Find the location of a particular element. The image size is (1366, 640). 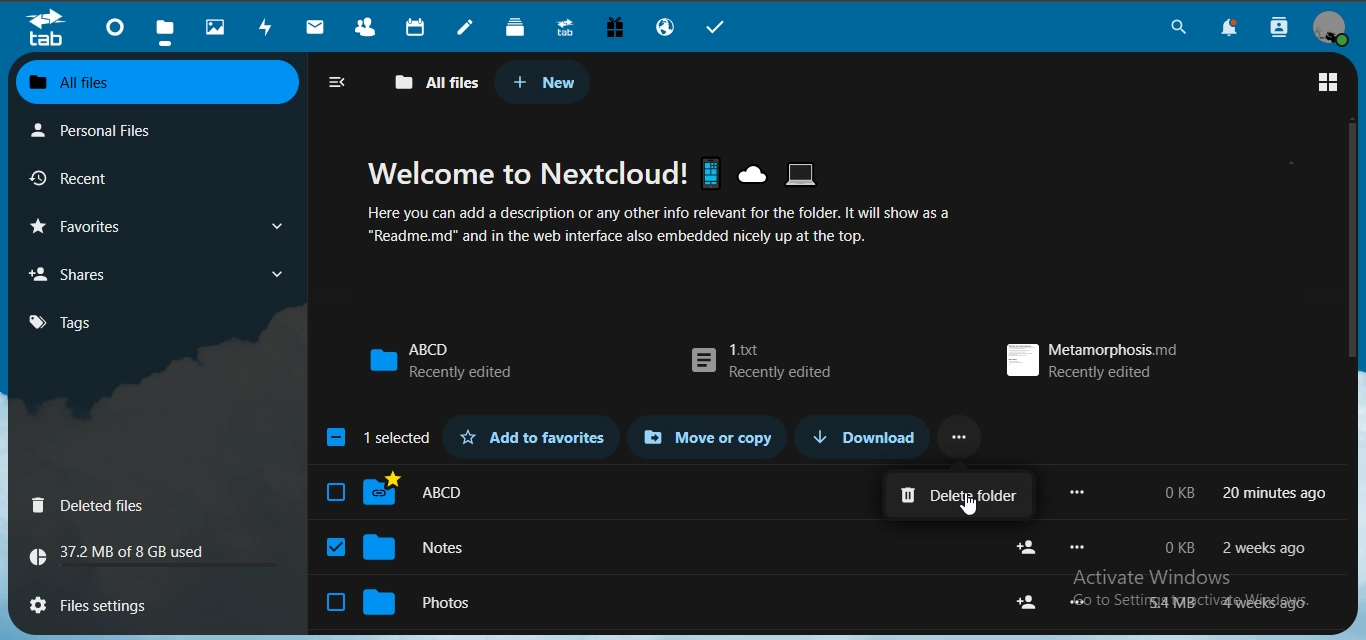

37.2 MB of 8GB used is located at coordinates (158, 558).